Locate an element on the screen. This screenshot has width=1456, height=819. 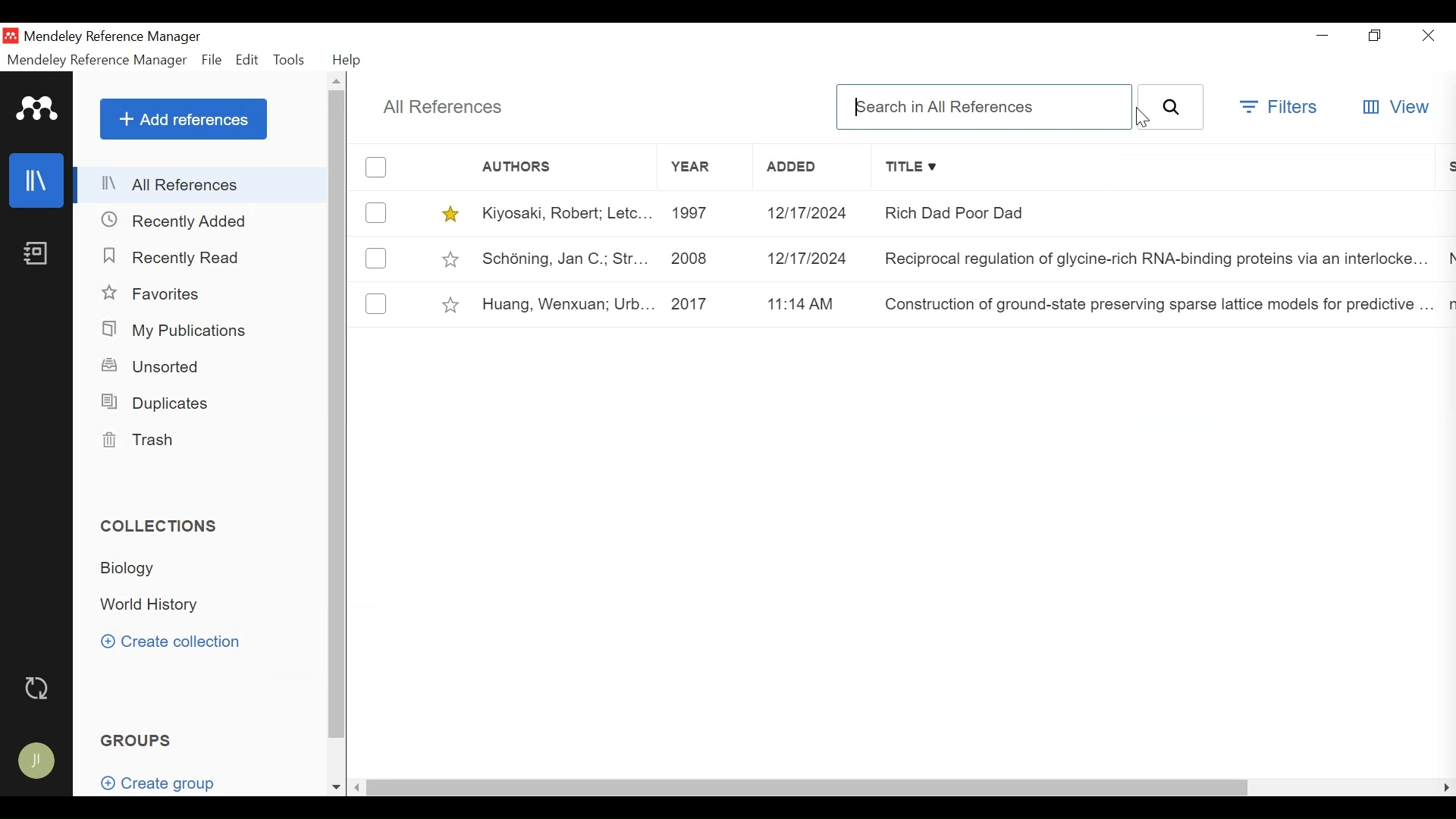
Construction of ground-state preserving sparse lattice models for predictive is located at coordinates (1155, 306).